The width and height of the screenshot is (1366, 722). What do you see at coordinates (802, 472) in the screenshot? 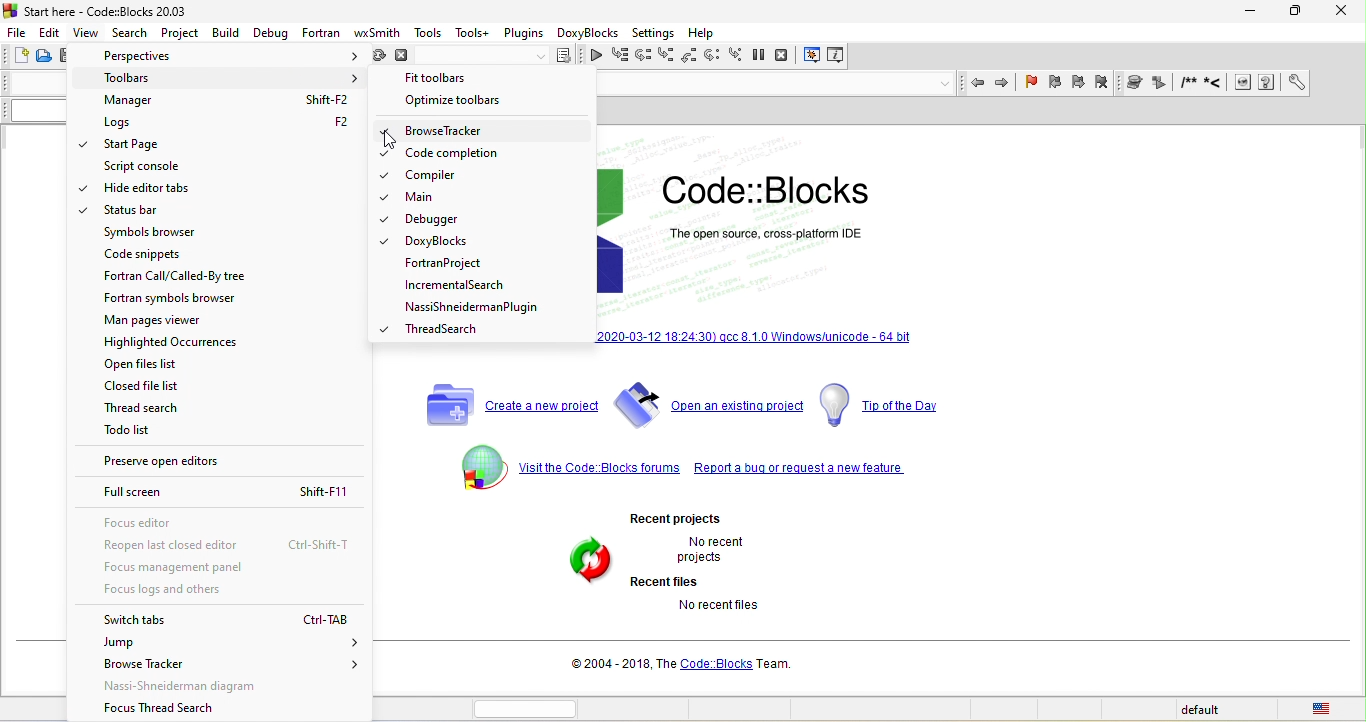
I see `report a bug or request a new feature` at bounding box center [802, 472].